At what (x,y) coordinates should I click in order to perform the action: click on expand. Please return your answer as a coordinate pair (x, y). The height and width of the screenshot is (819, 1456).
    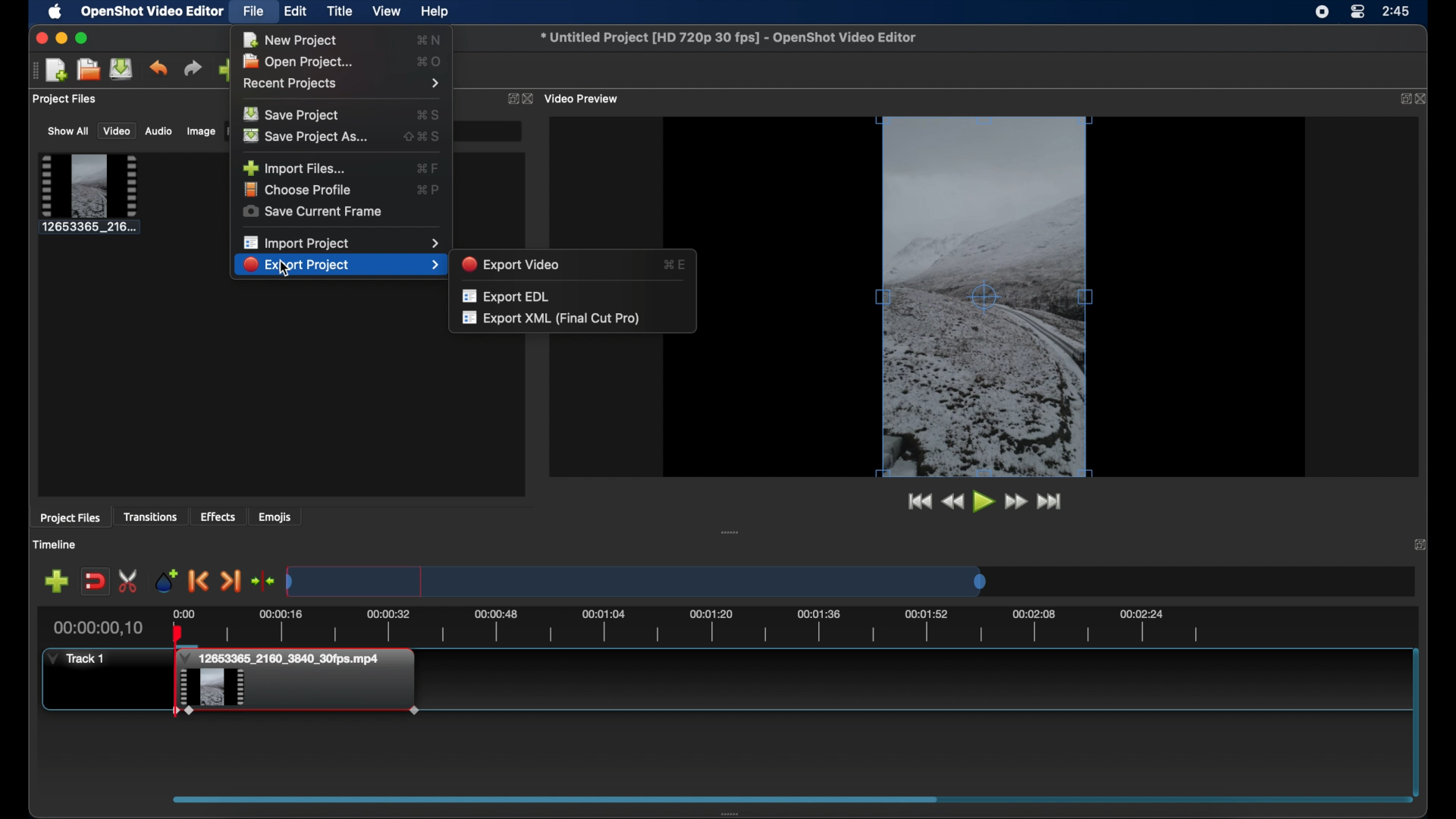
    Looking at the image, I should click on (1401, 99).